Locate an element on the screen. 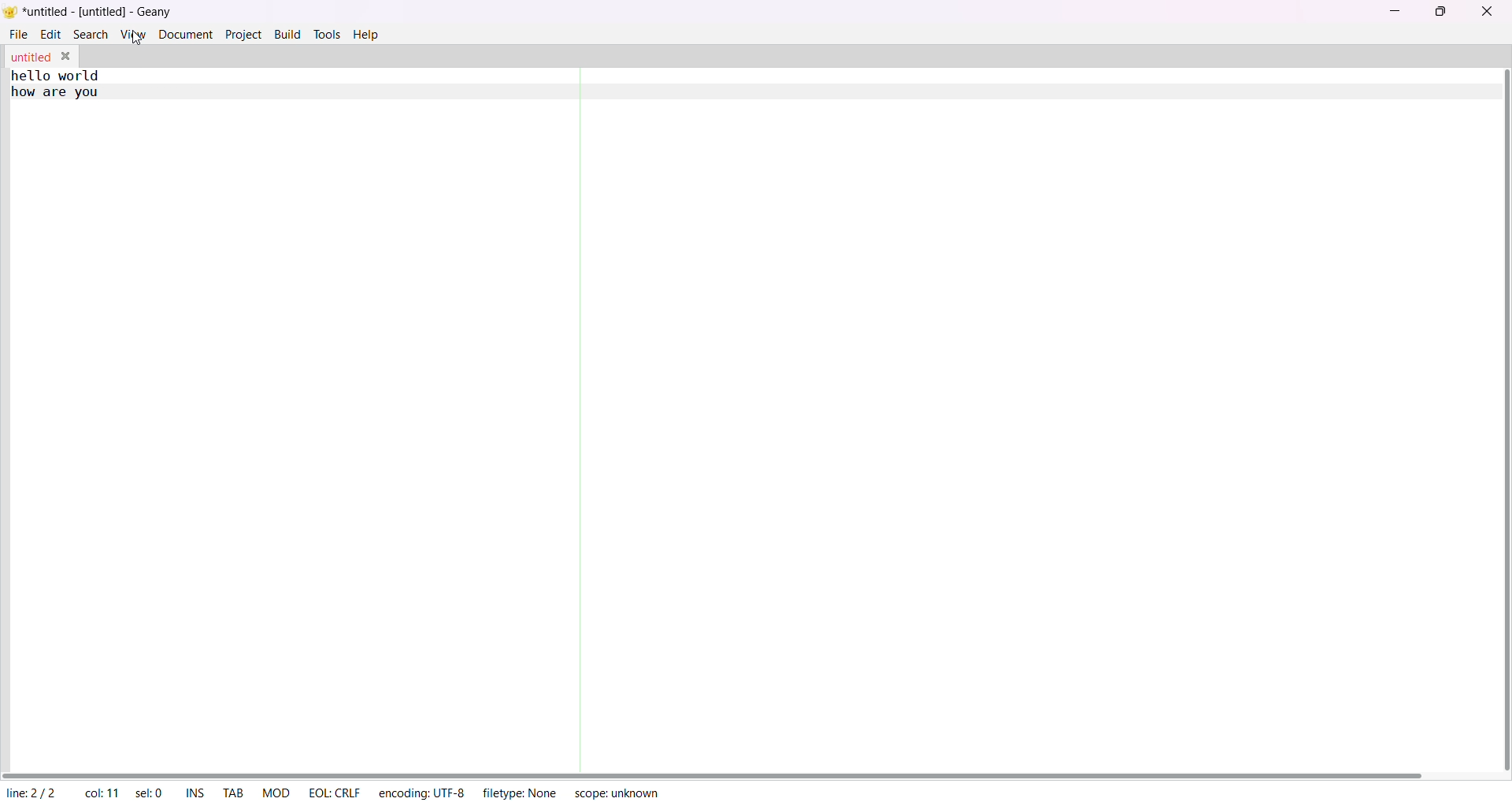  build is located at coordinates (285, 34).